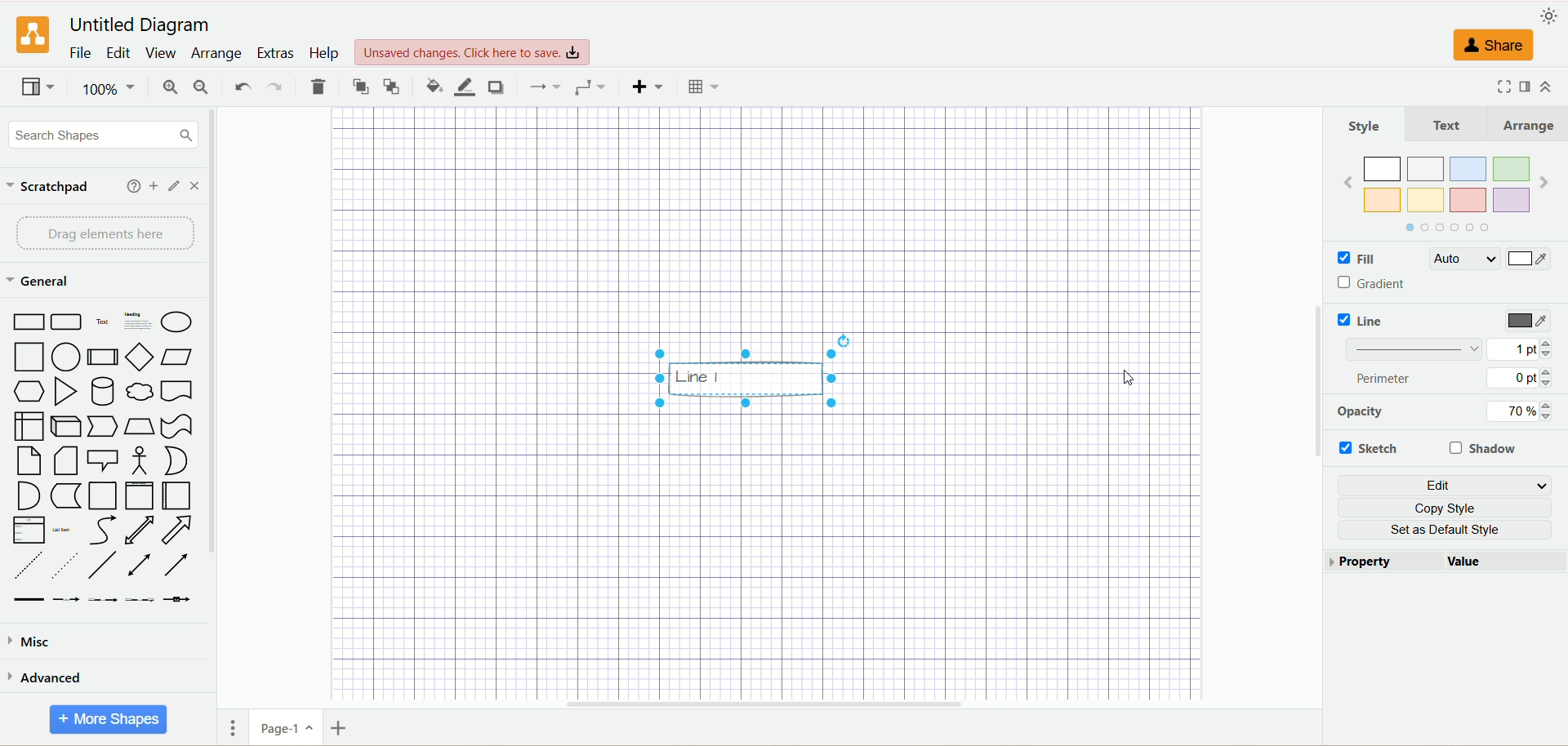 The height and width of the screenshot is (746, 1568). Describe the element at coordinates (177, 389) in the screenshot. I see `Document` at that location.